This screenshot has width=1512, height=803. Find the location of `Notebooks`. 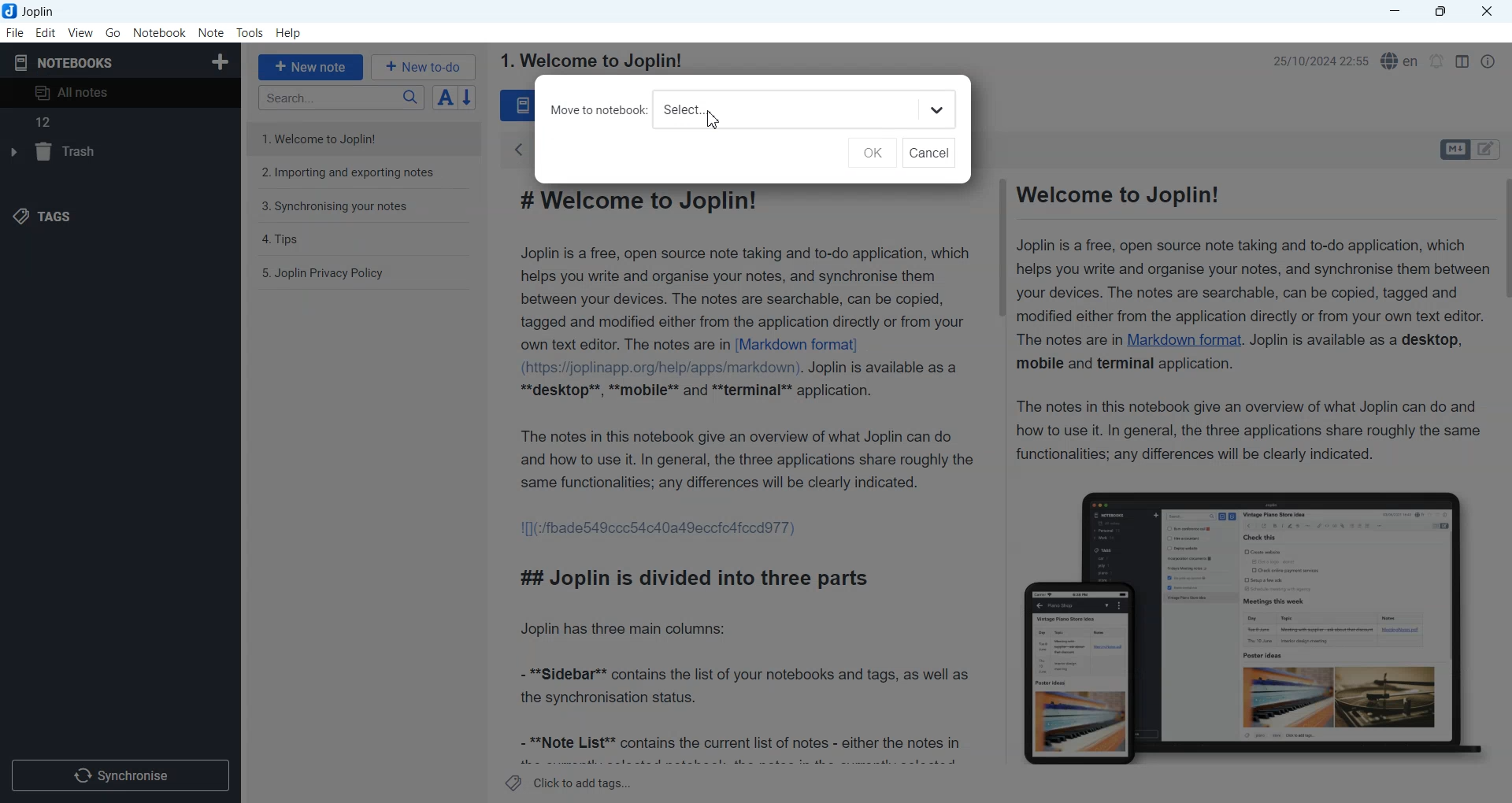

Notebooks is located at coordinates (64, 62).